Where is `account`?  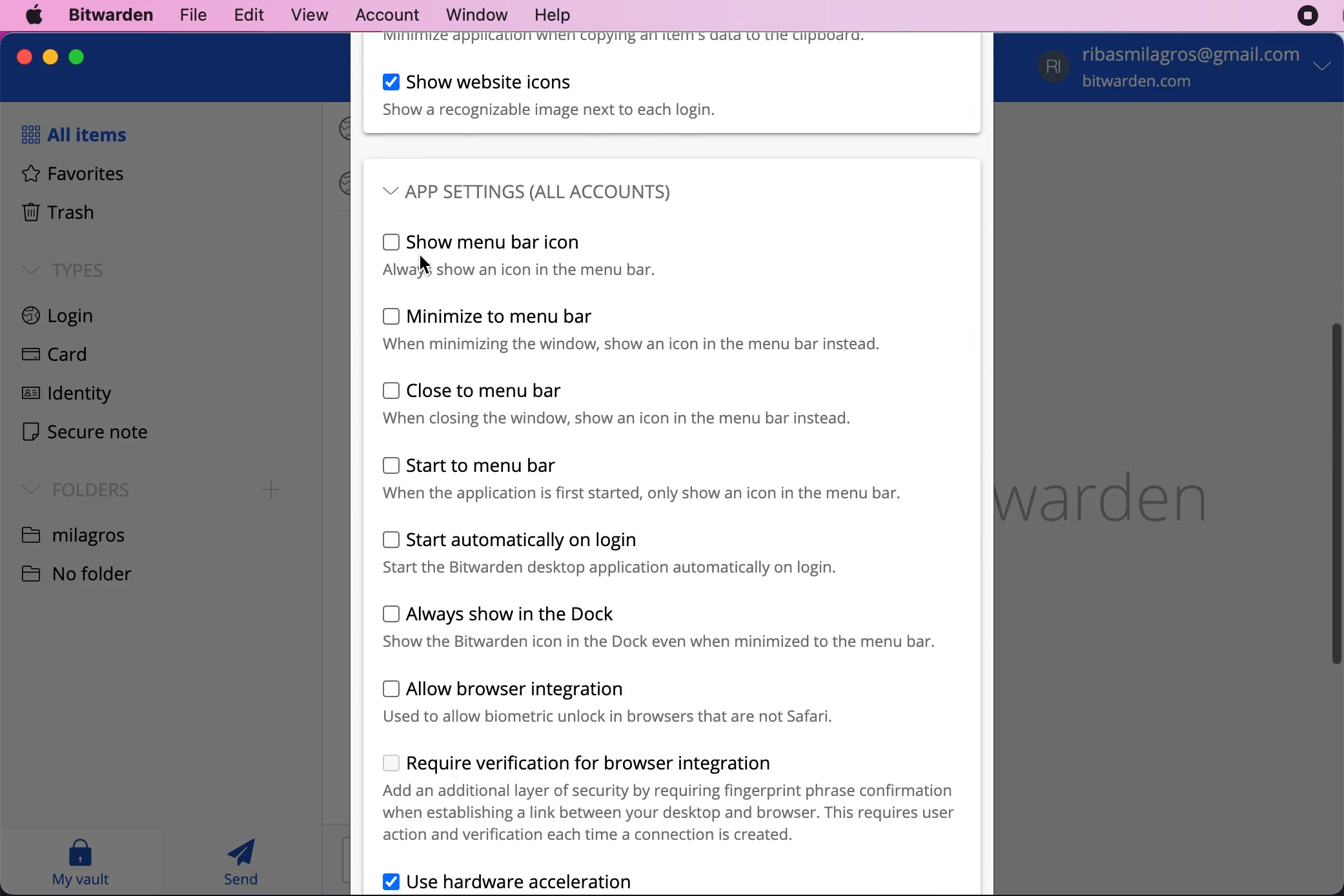 account is located at coordinates (382, 14).